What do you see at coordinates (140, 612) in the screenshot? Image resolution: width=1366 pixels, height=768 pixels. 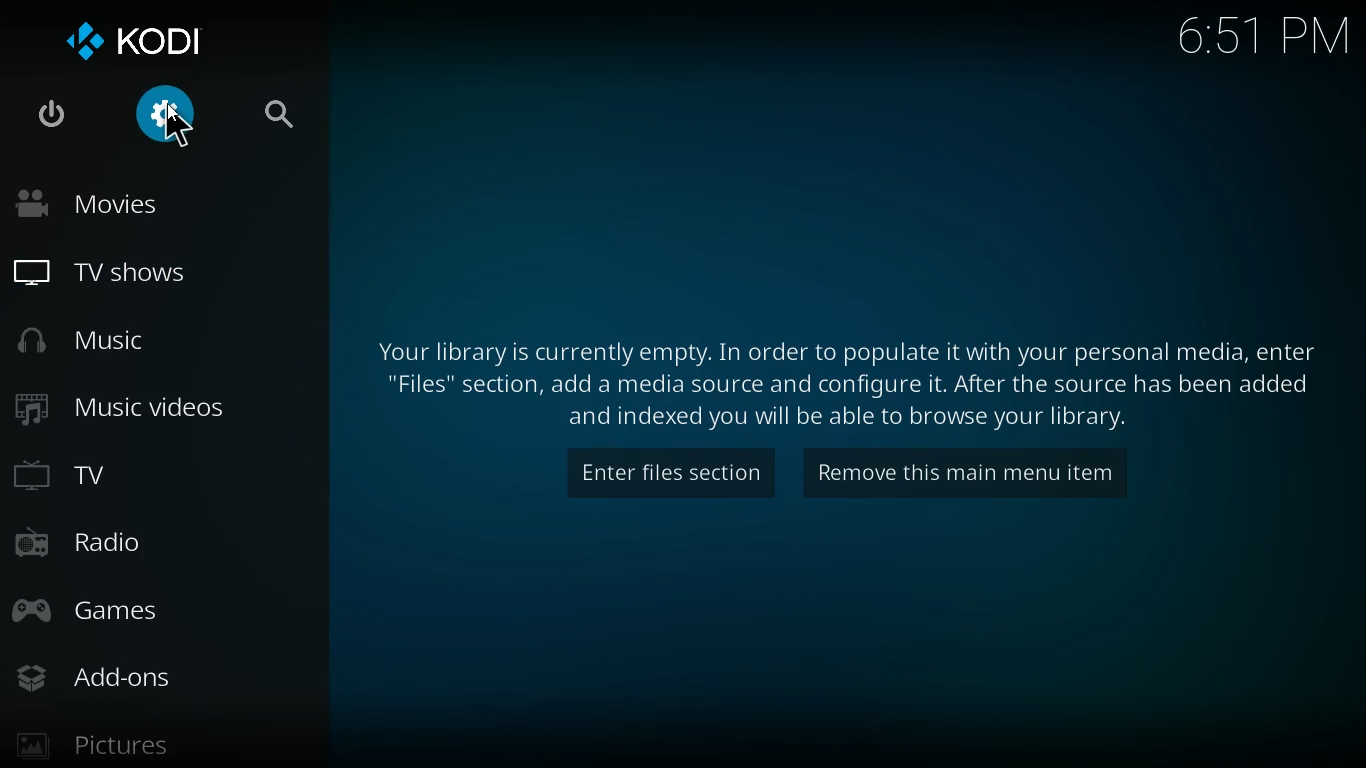 I see `games` at bounding box center [140, 612].